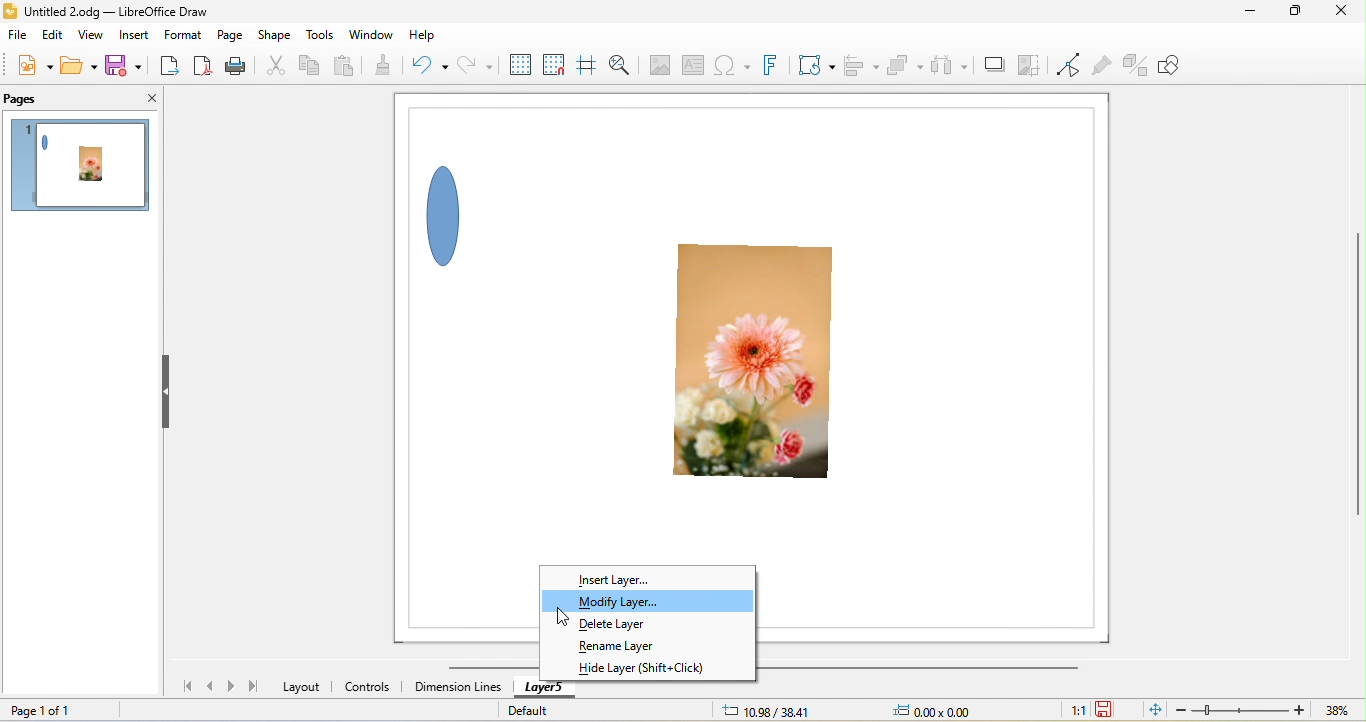 The width and height of the screenshot is (1366, 722). I want to click on 10.98/38.41, so click(767, 710).